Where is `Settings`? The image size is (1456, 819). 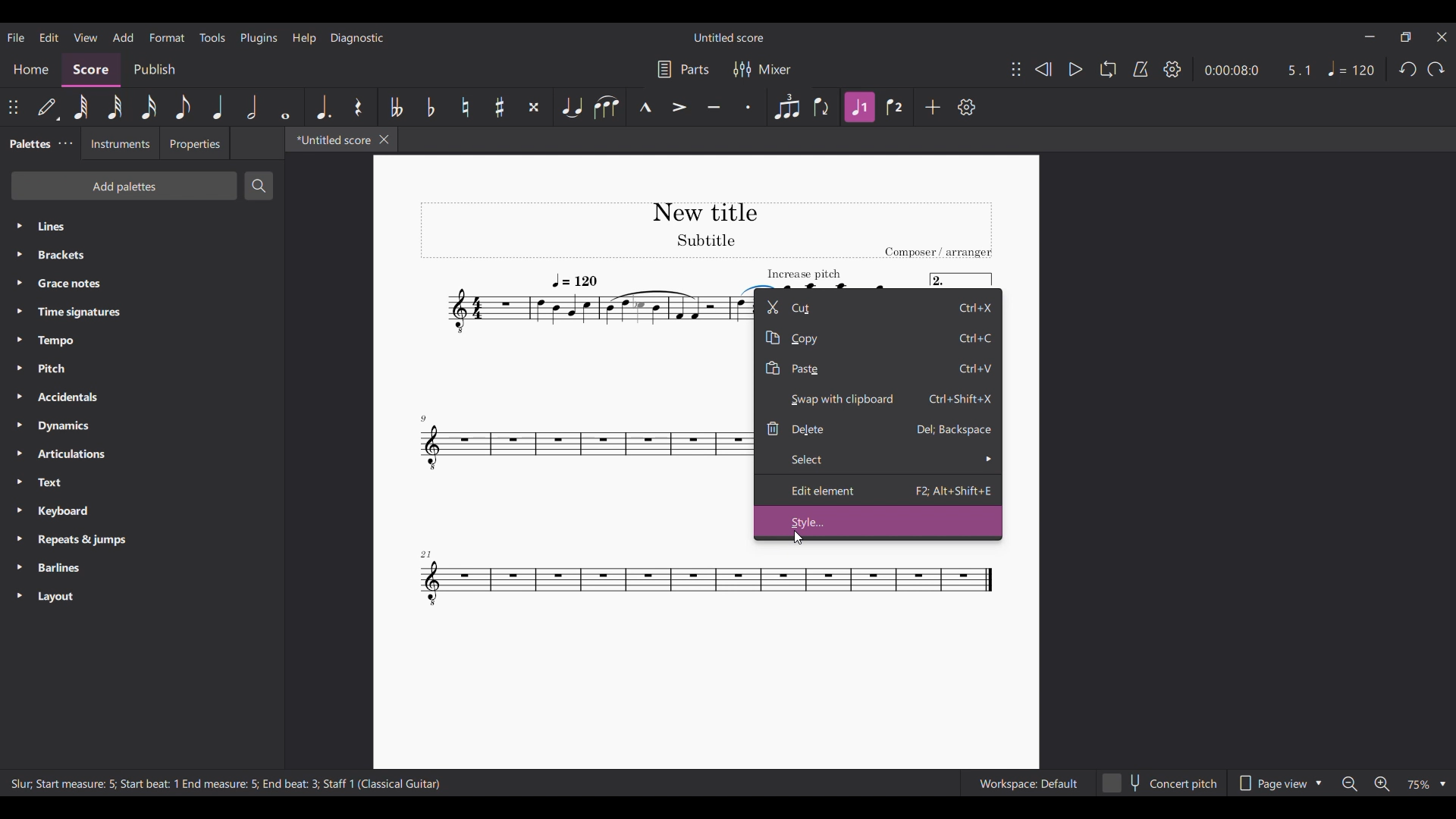 Settings is located at coordinates (967, 107).